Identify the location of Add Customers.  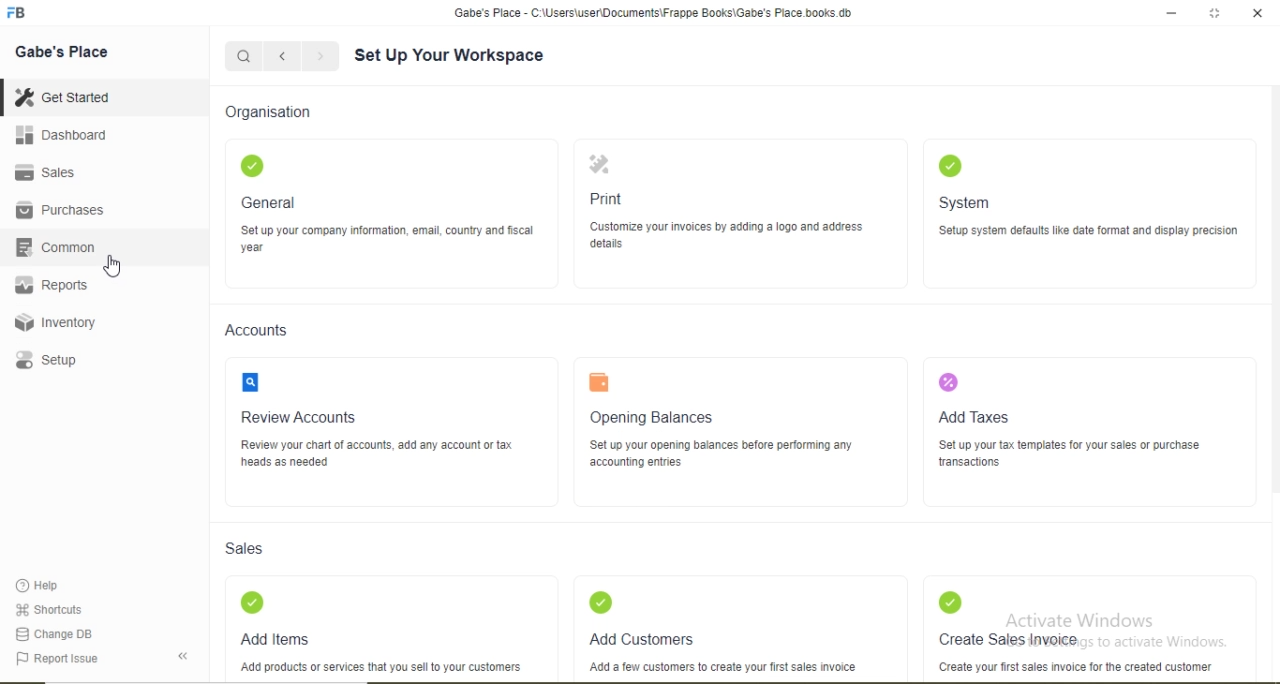
(640, 639).